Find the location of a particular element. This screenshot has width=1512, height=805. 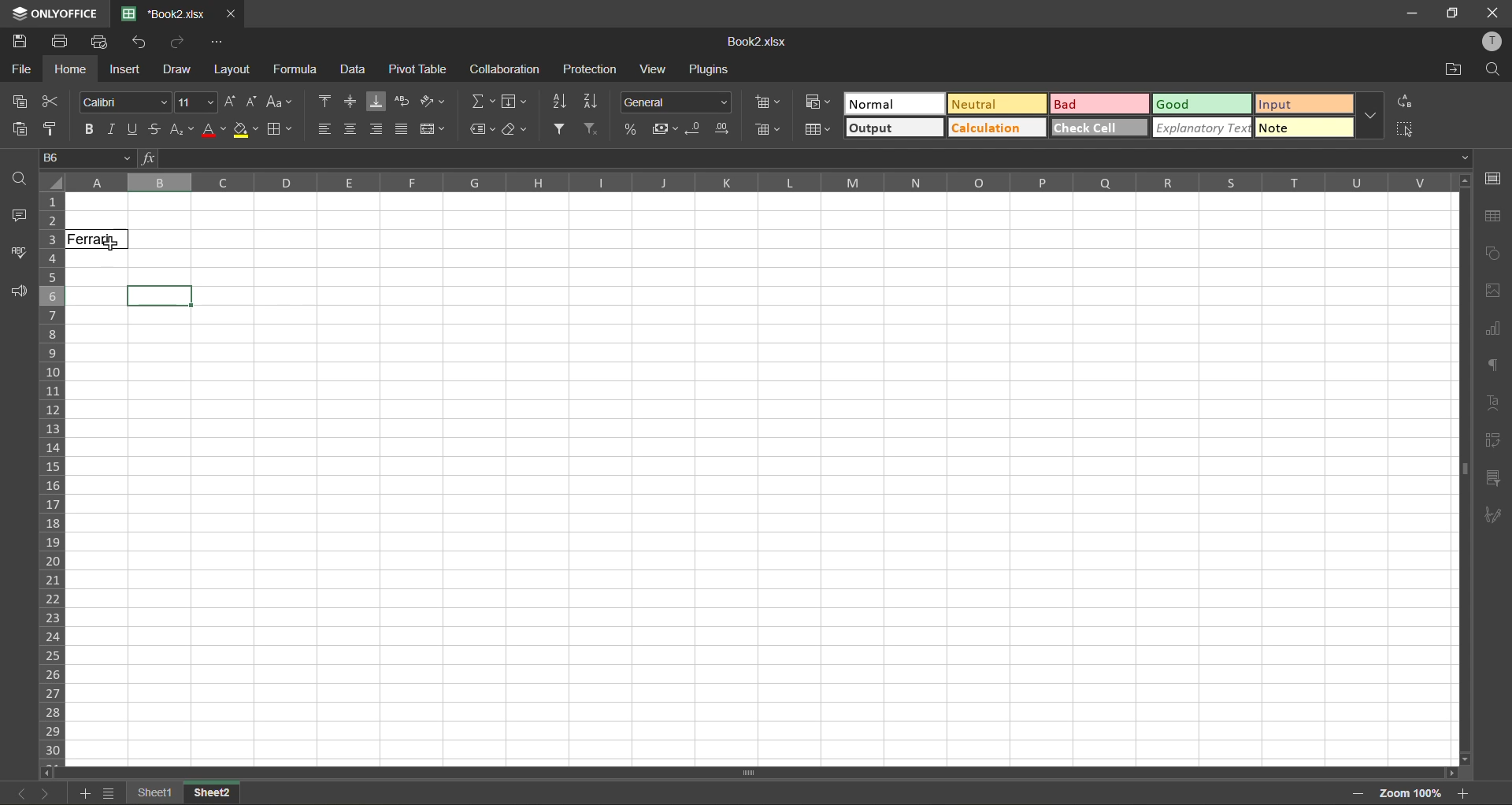

print is located at coordinates (59, 42).